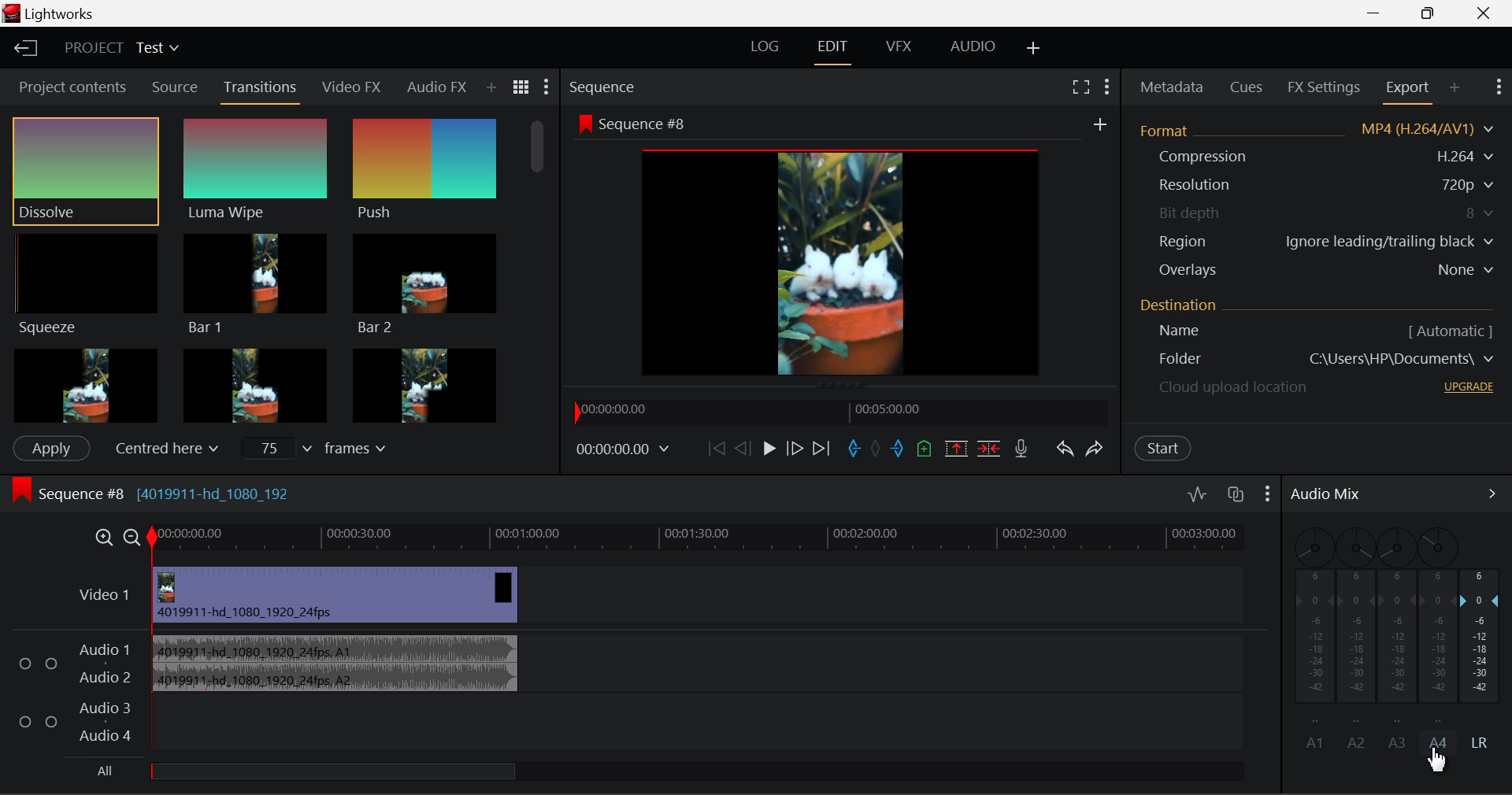 The height and width of the screenshot is (795, 1512). Describe the element at coordinates (1452, 87) in the screenshot. I see `Add Panel` at that location.